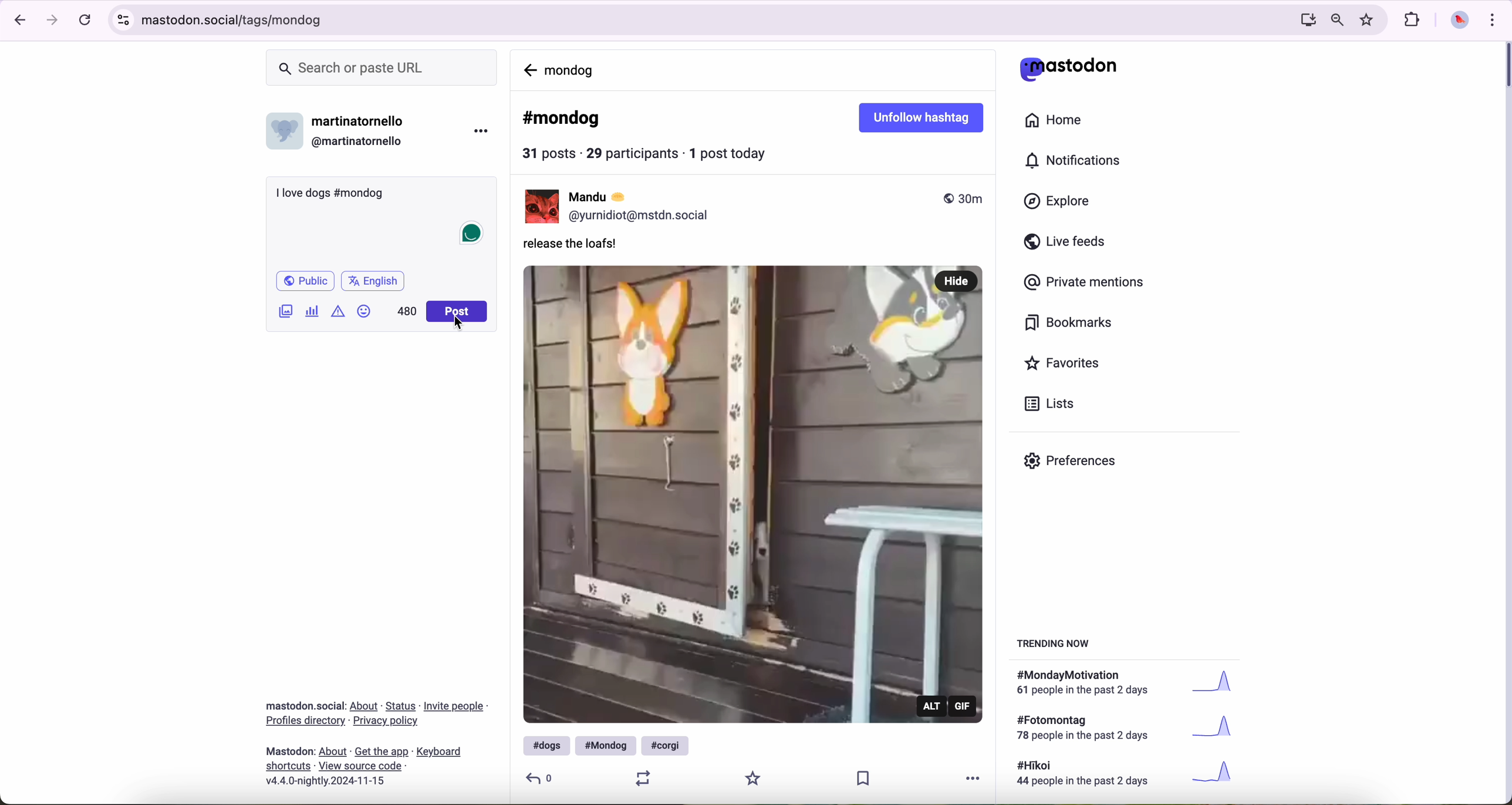  I want to click on version, so click(325, 782).